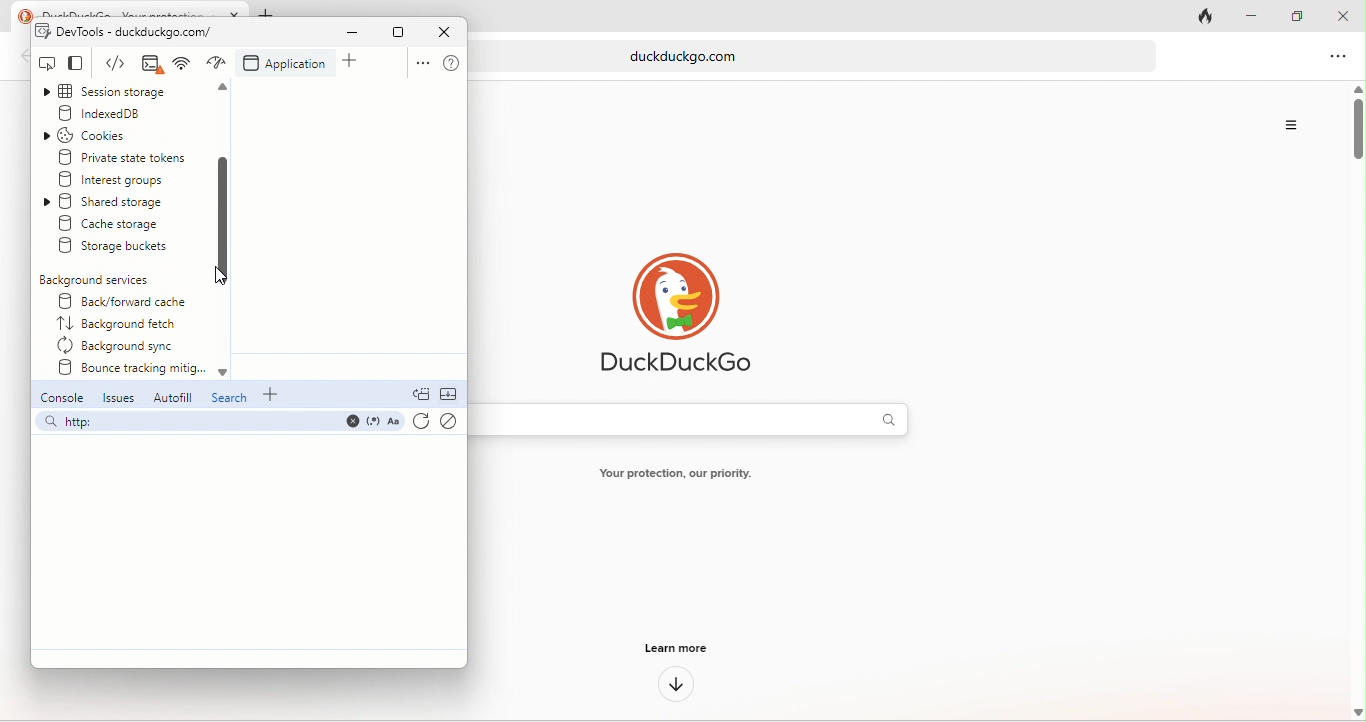 The image size is (1366, 722). What do you see at coordinates (286, 64) in the screenshot?
I see `application` at bounding box center [286, 64].